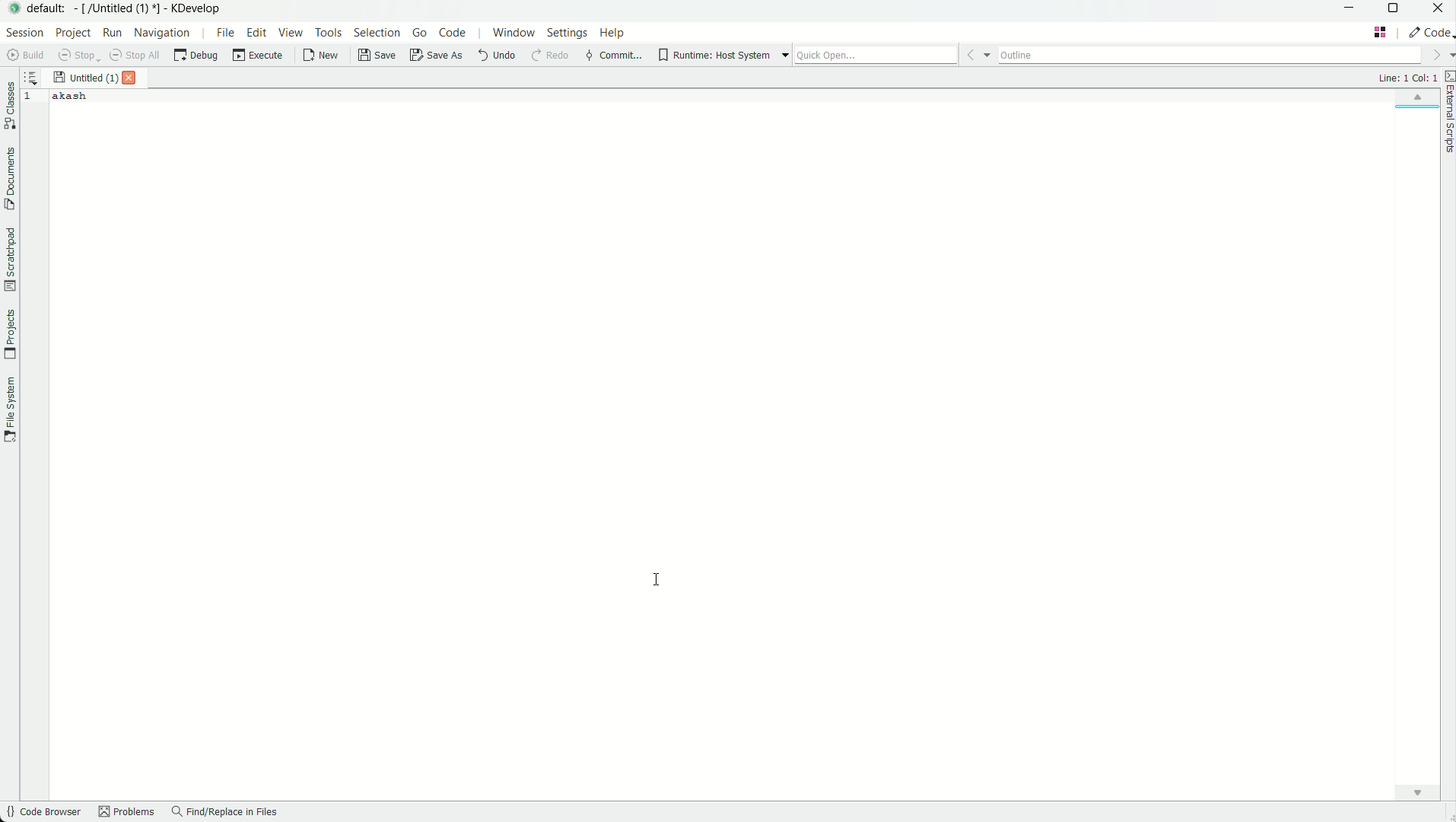  Describe the element at coordinates (49, 8) in the screenshot. I see `default` at that location.